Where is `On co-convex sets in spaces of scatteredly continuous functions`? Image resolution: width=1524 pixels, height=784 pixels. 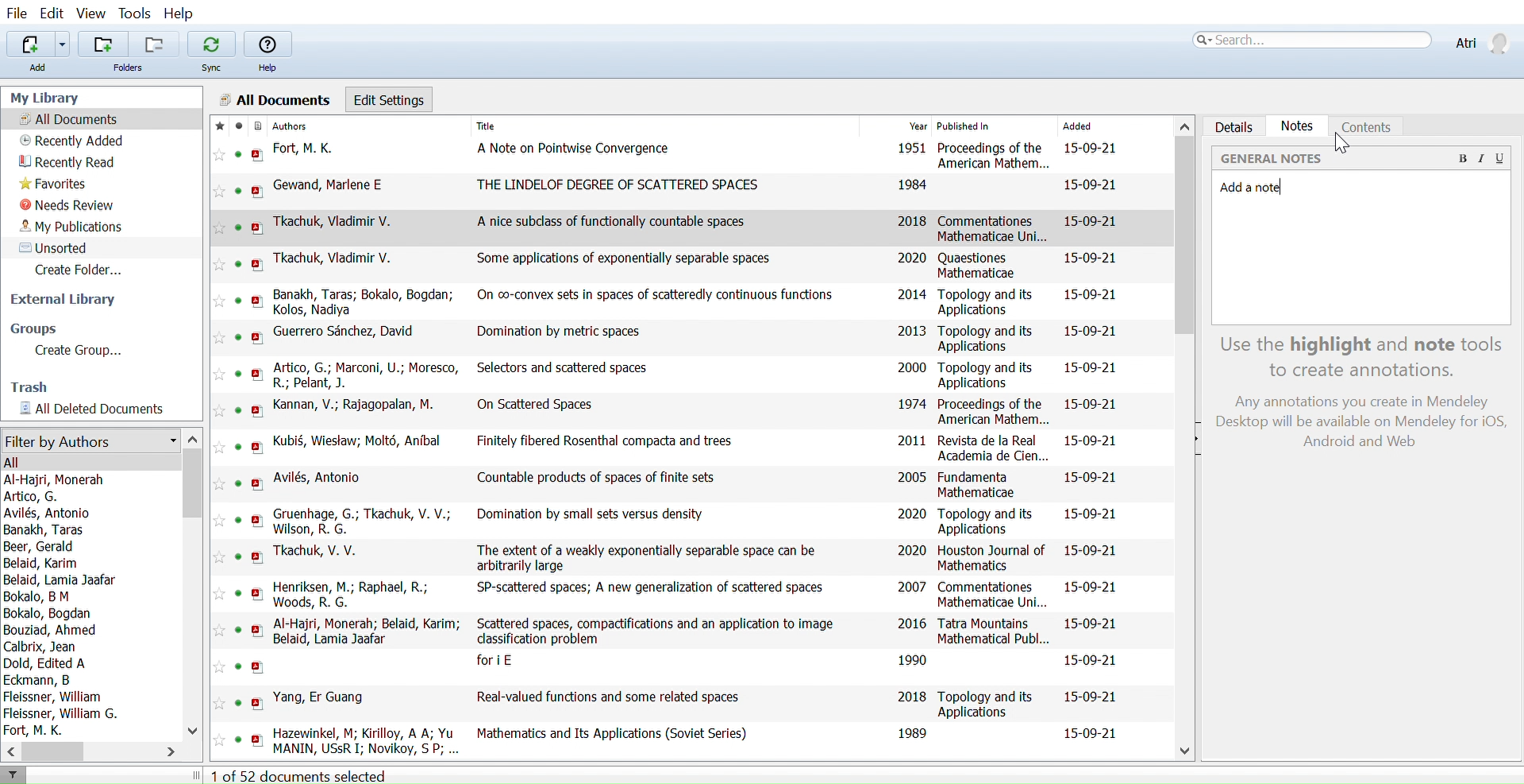 On co-convex sets in spaces of scatteredly continuous functions is located at coordinates (655, 294).